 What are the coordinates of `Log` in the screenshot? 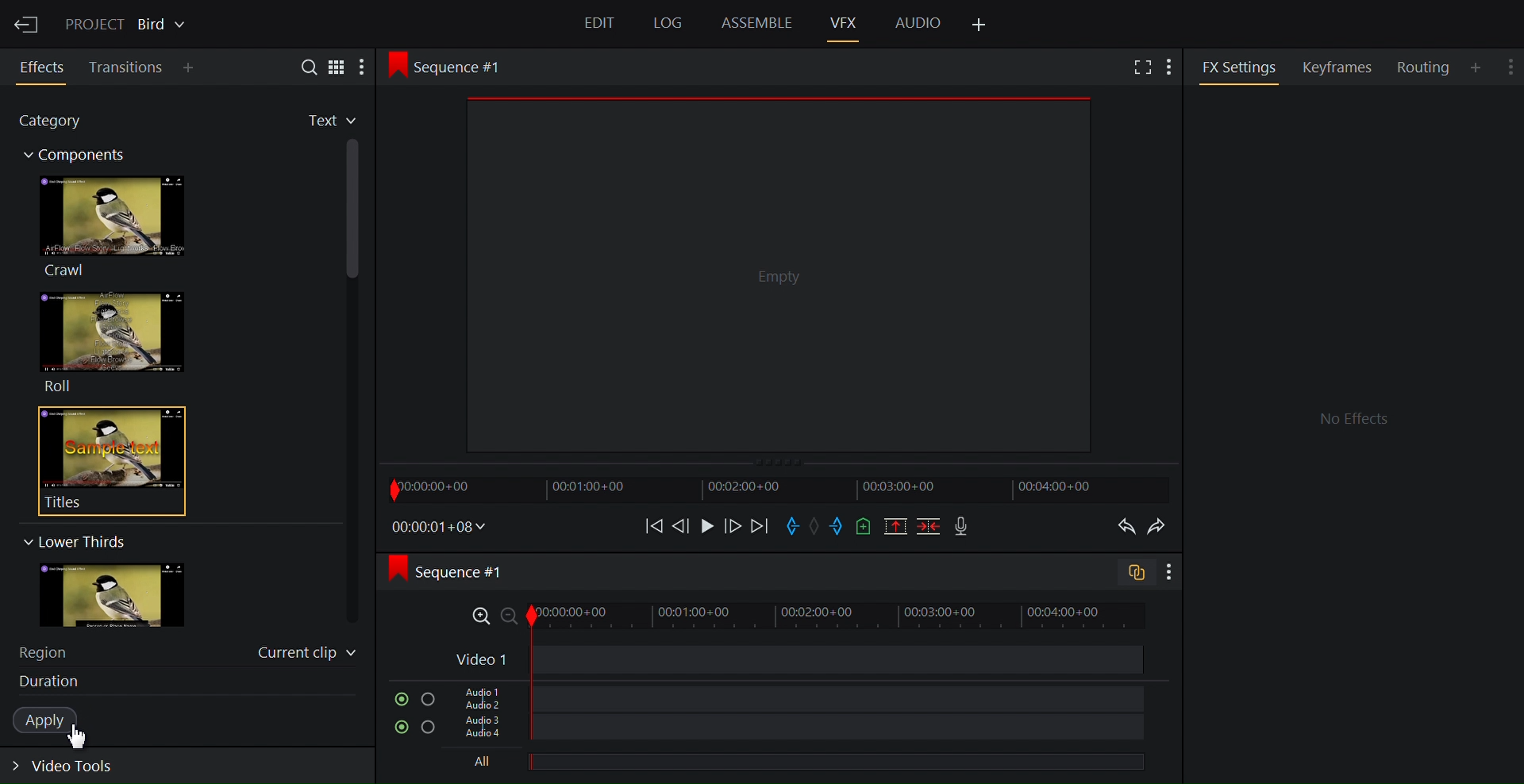 It's located at (665, 24).